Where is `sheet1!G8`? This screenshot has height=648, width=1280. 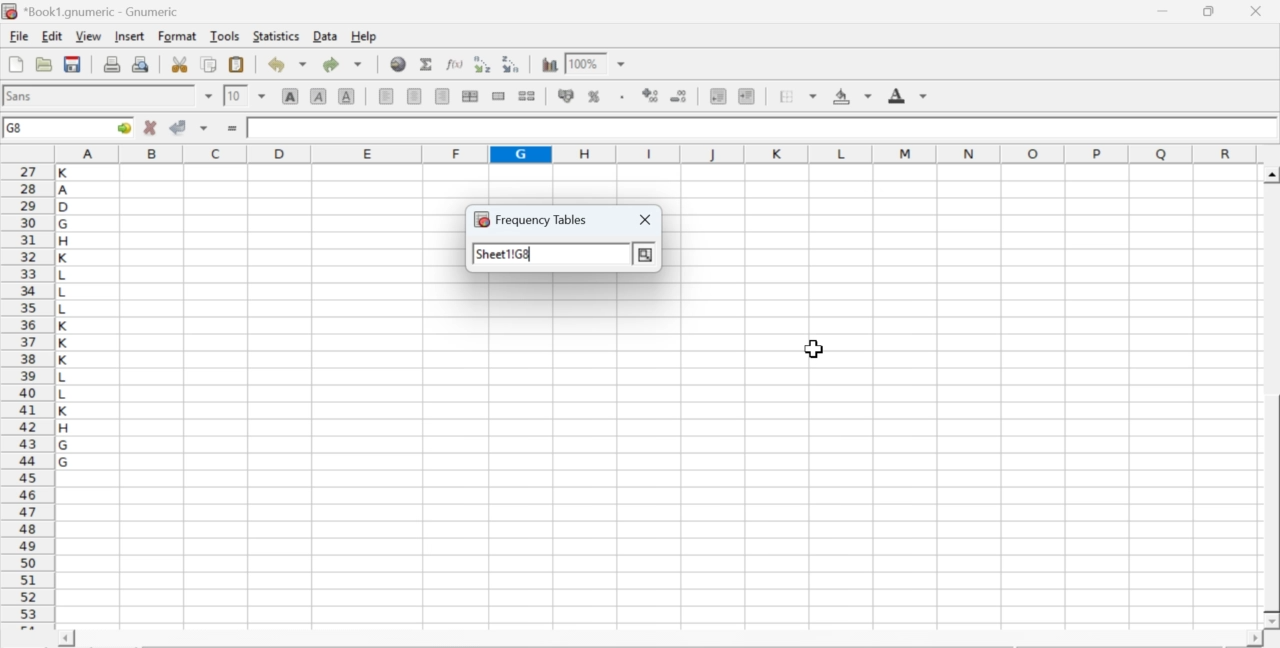
sheet1!G8 is located at coordinates (506, 253).